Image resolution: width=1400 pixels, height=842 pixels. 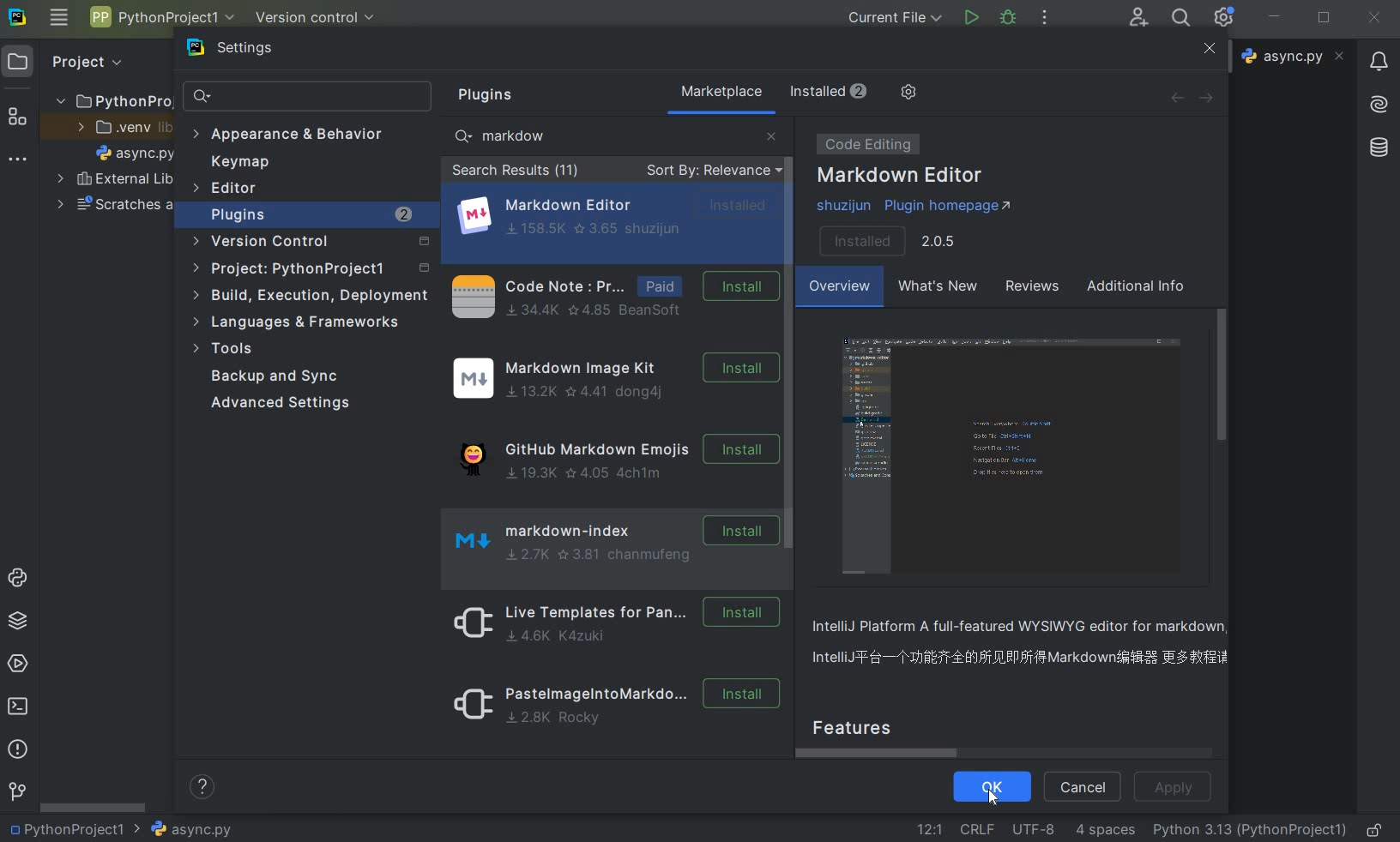 I want to click on cancel, so click(x=1082, y=788).